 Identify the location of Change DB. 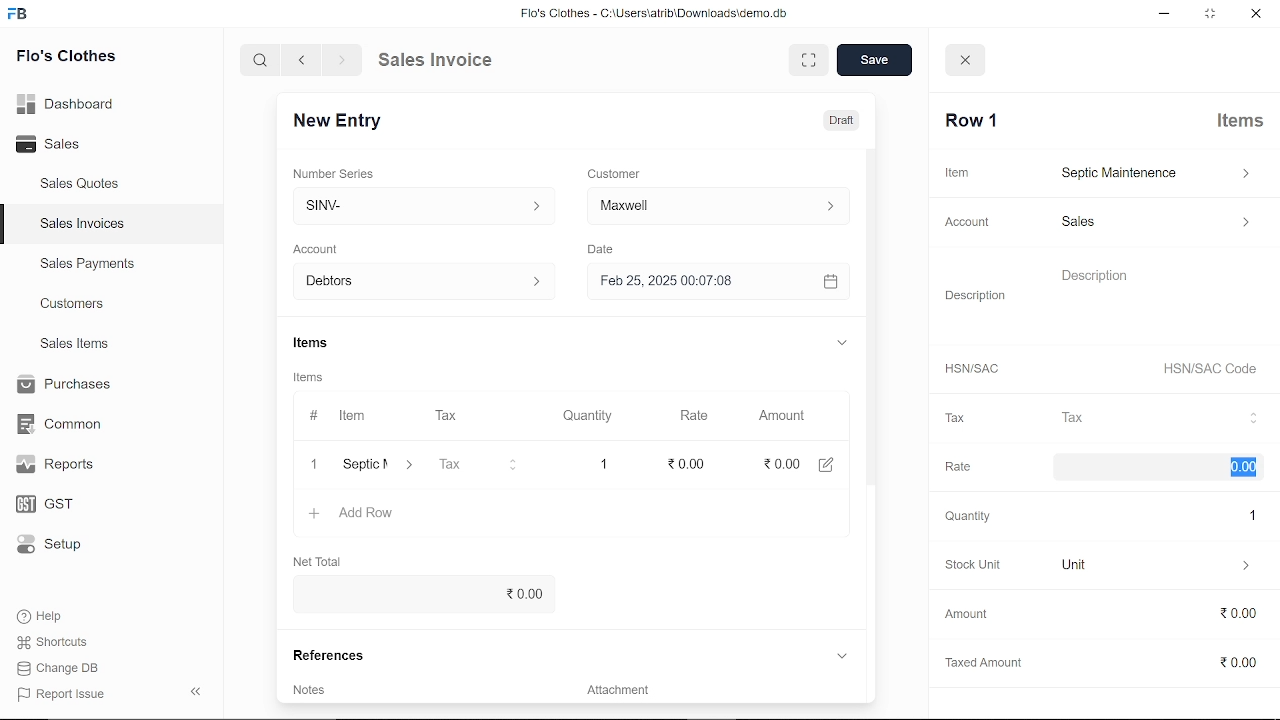
(60, 667).